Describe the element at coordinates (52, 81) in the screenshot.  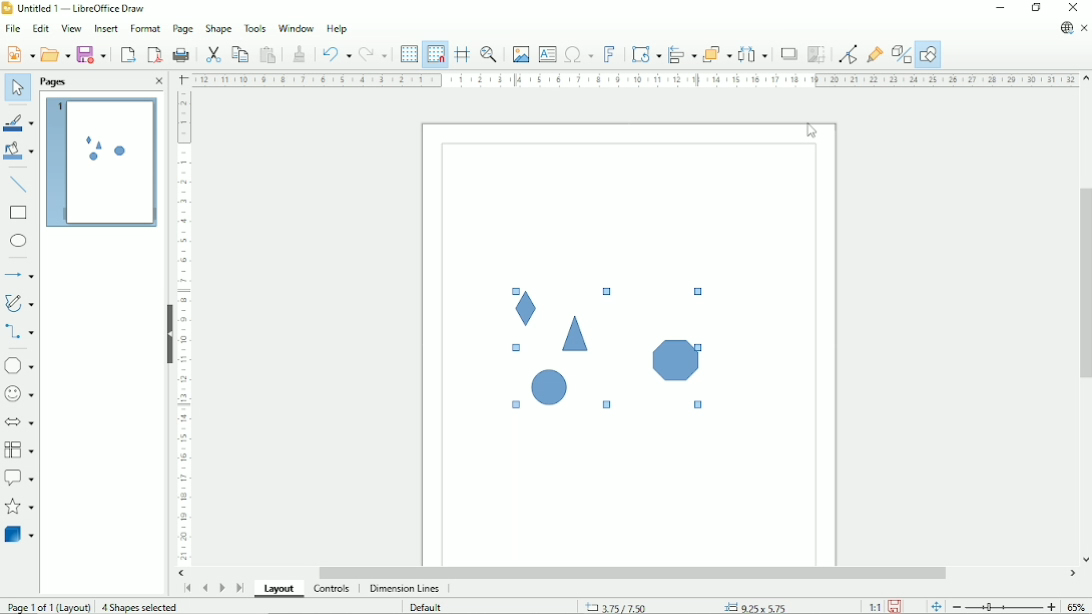
I see `Pages` at that location.